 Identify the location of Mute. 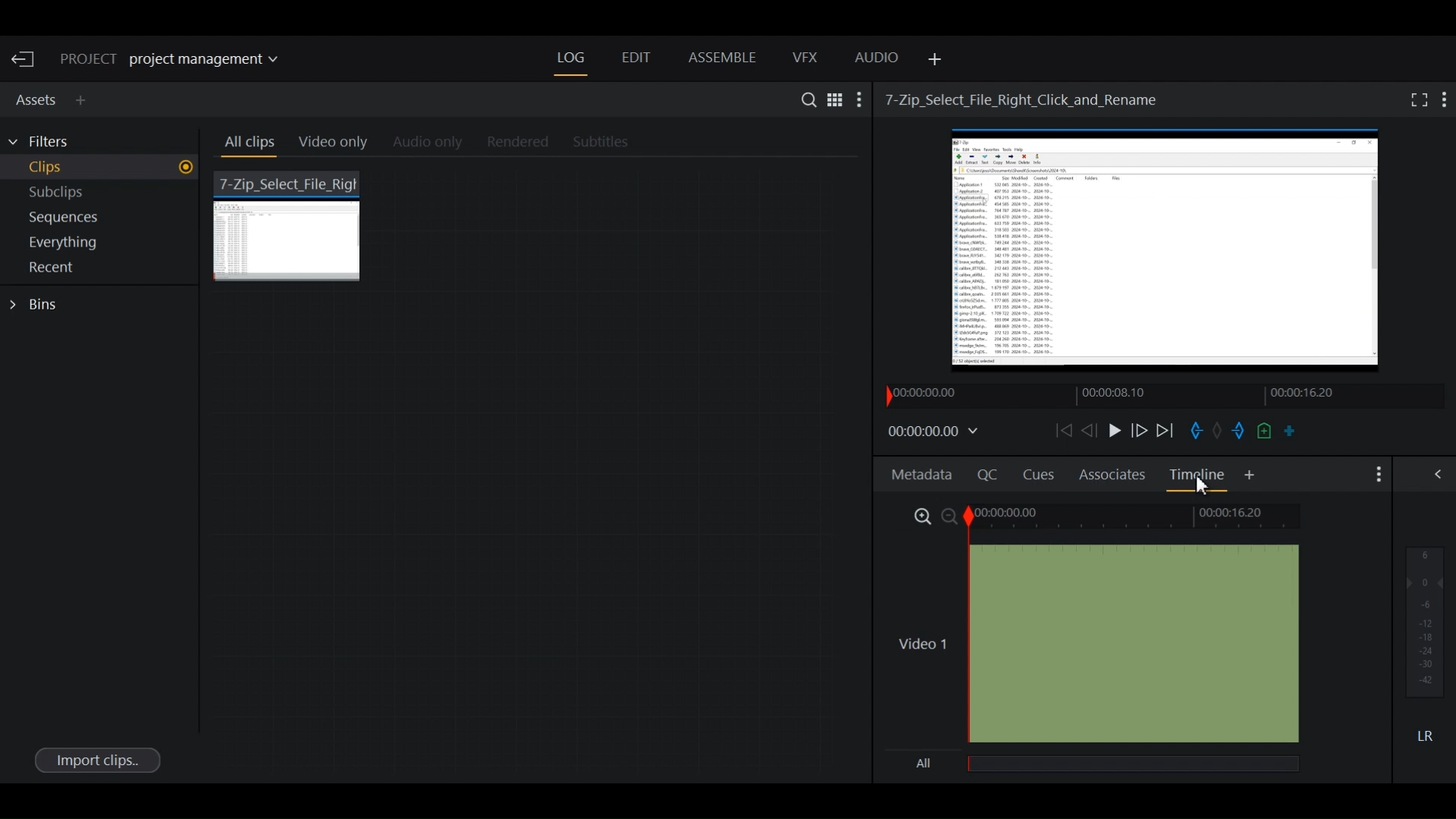
(1425, 735).